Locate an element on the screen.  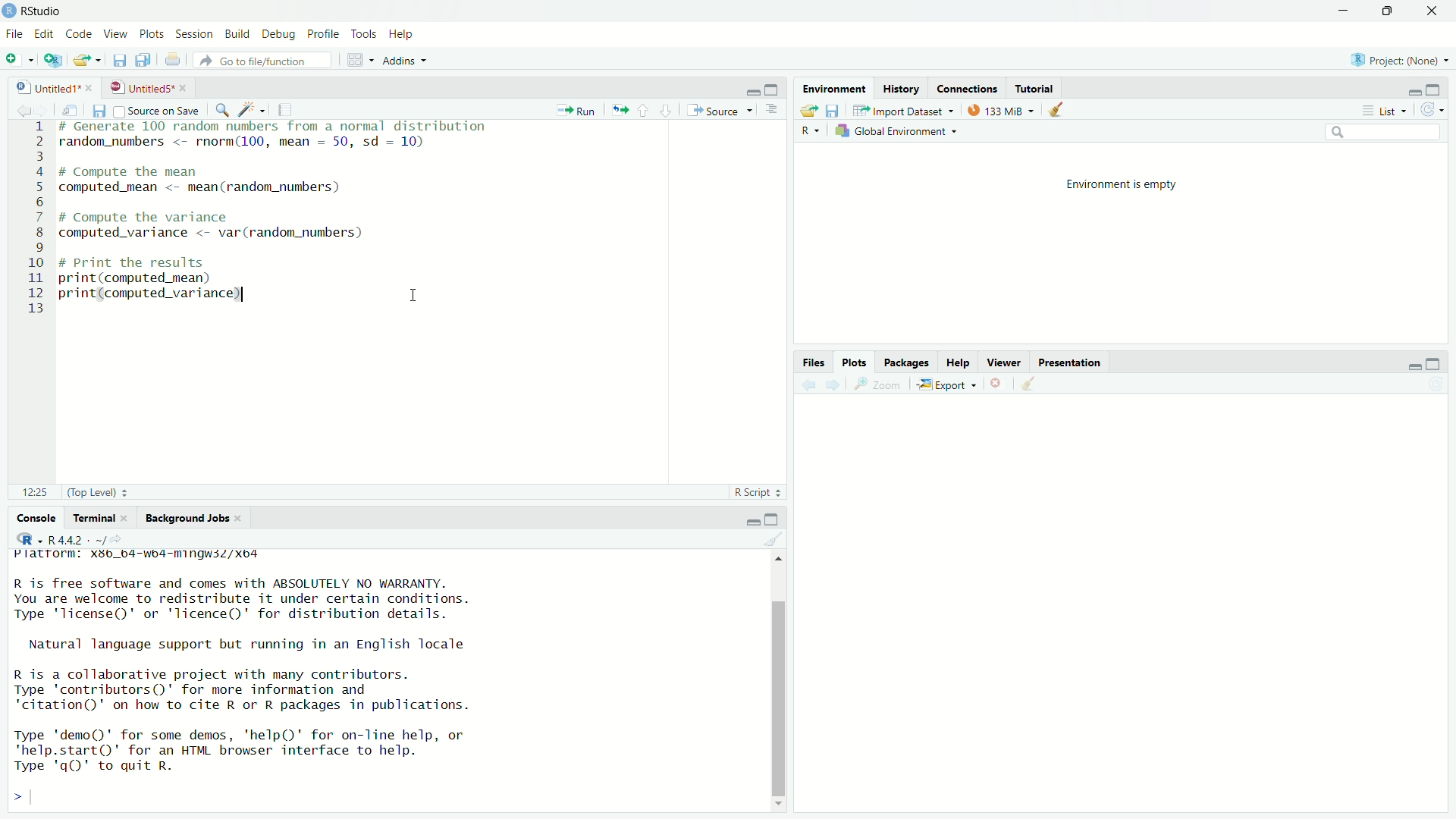
maximize is located at coordinates (1391, 11).